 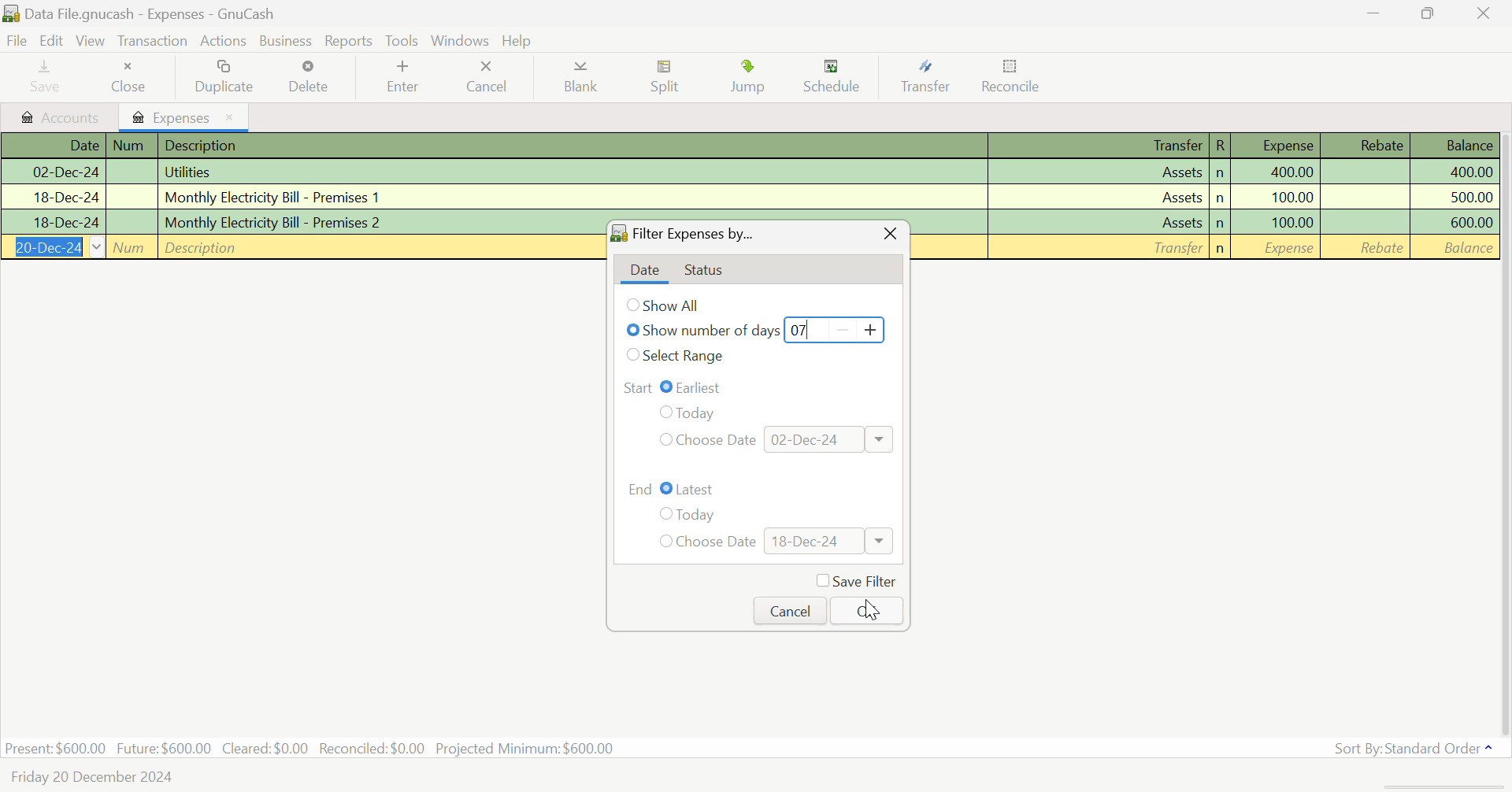 What do you see at coordinates (224, 76) in the screenshot?
I see `Duplicate` at bounding box center [224, 76].